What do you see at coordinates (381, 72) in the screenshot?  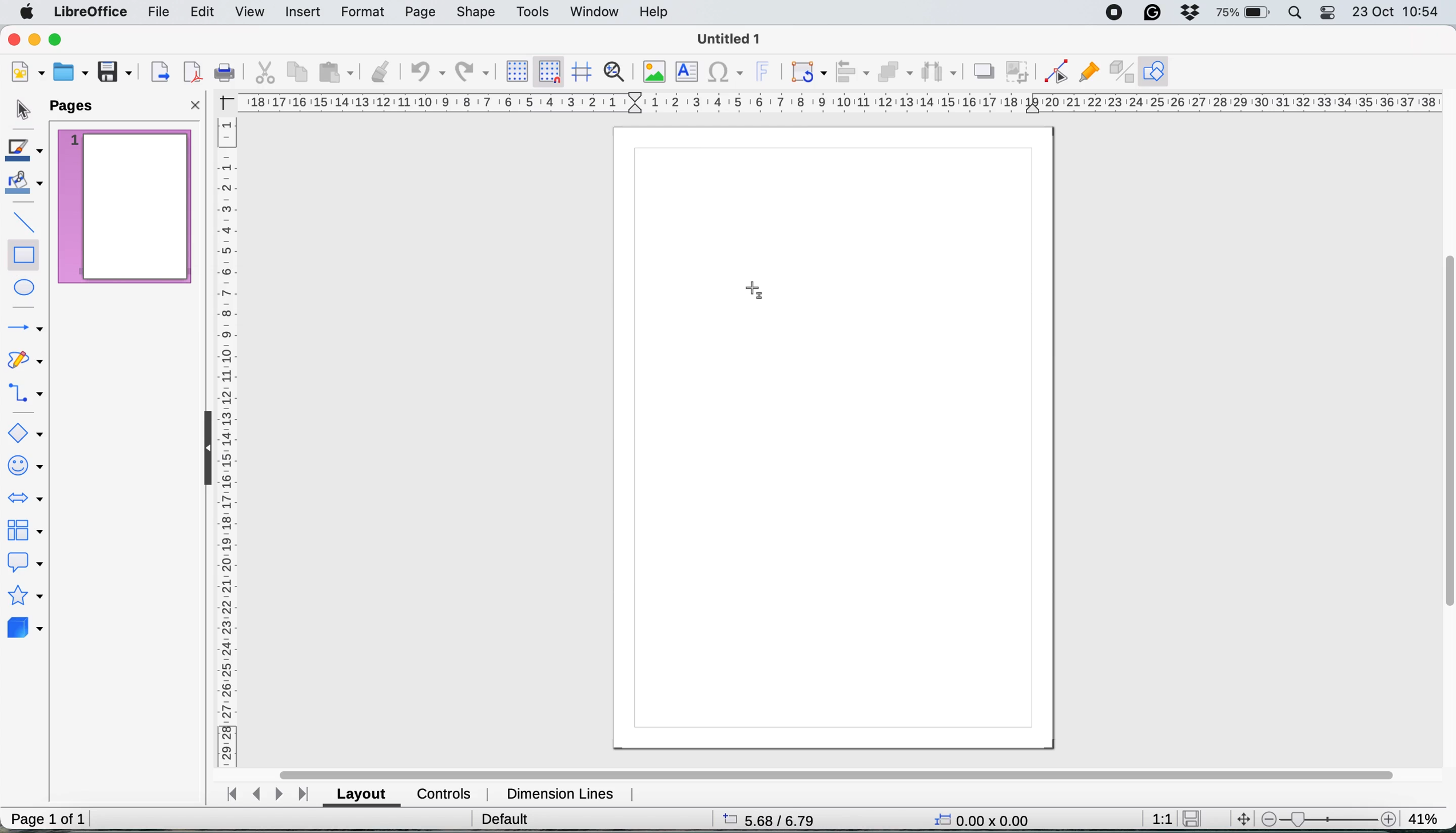 I see `clone formatting` at bounding box center [381, 72].